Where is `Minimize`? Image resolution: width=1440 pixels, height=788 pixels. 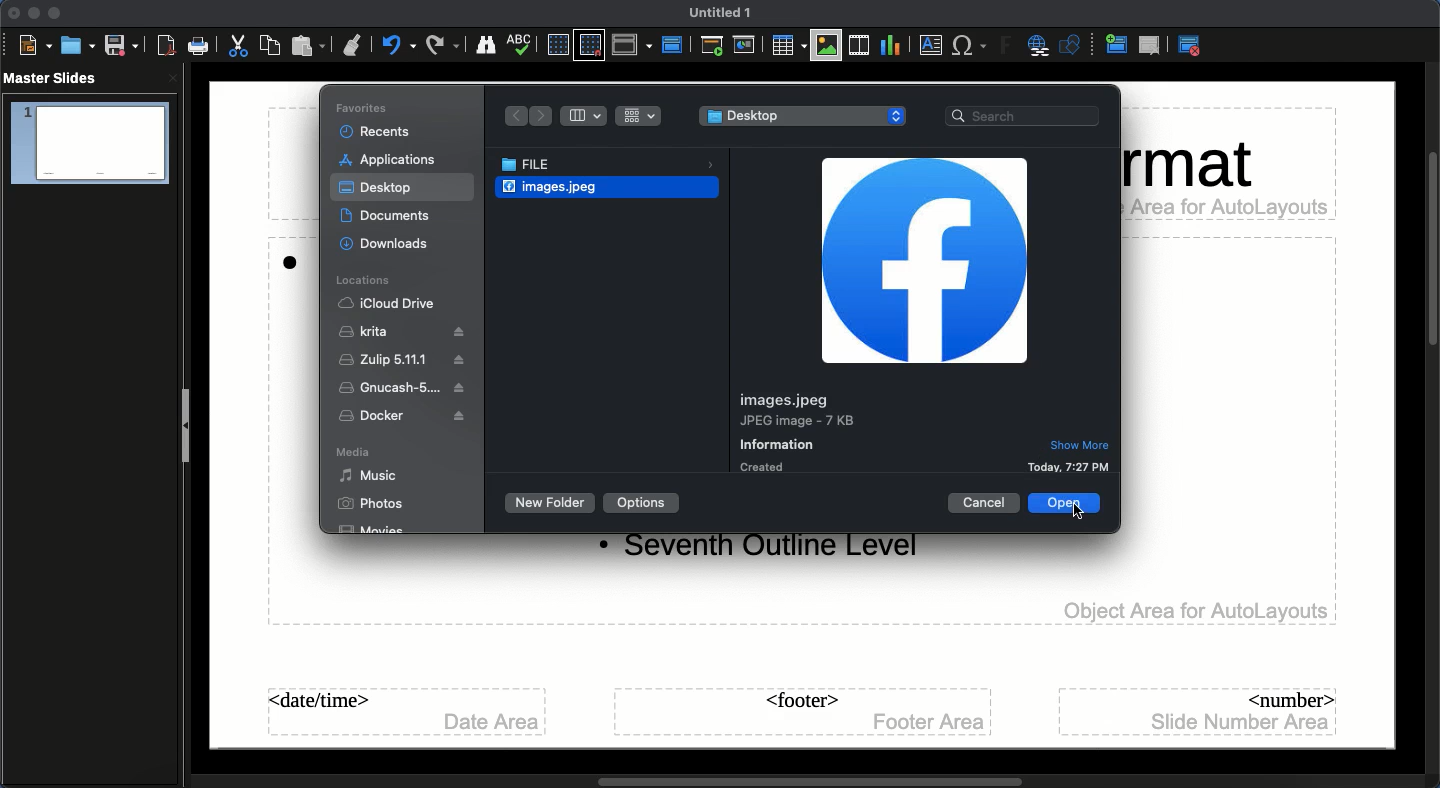
Minimize is located at coordinates (33, 13).